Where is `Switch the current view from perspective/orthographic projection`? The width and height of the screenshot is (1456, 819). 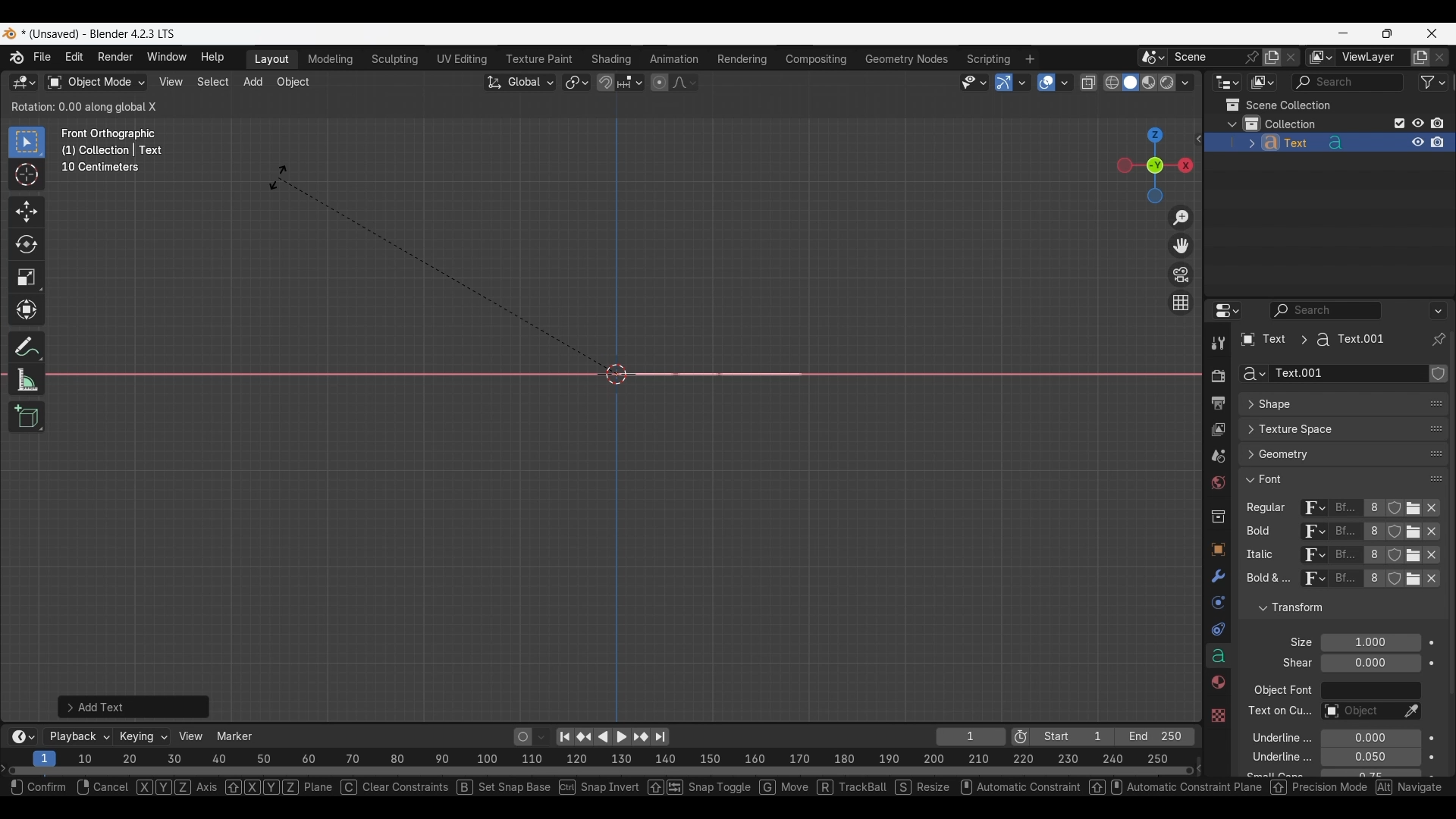 Switch the current view from perspective/orthographic projection is located at coordinates (1180, 302).